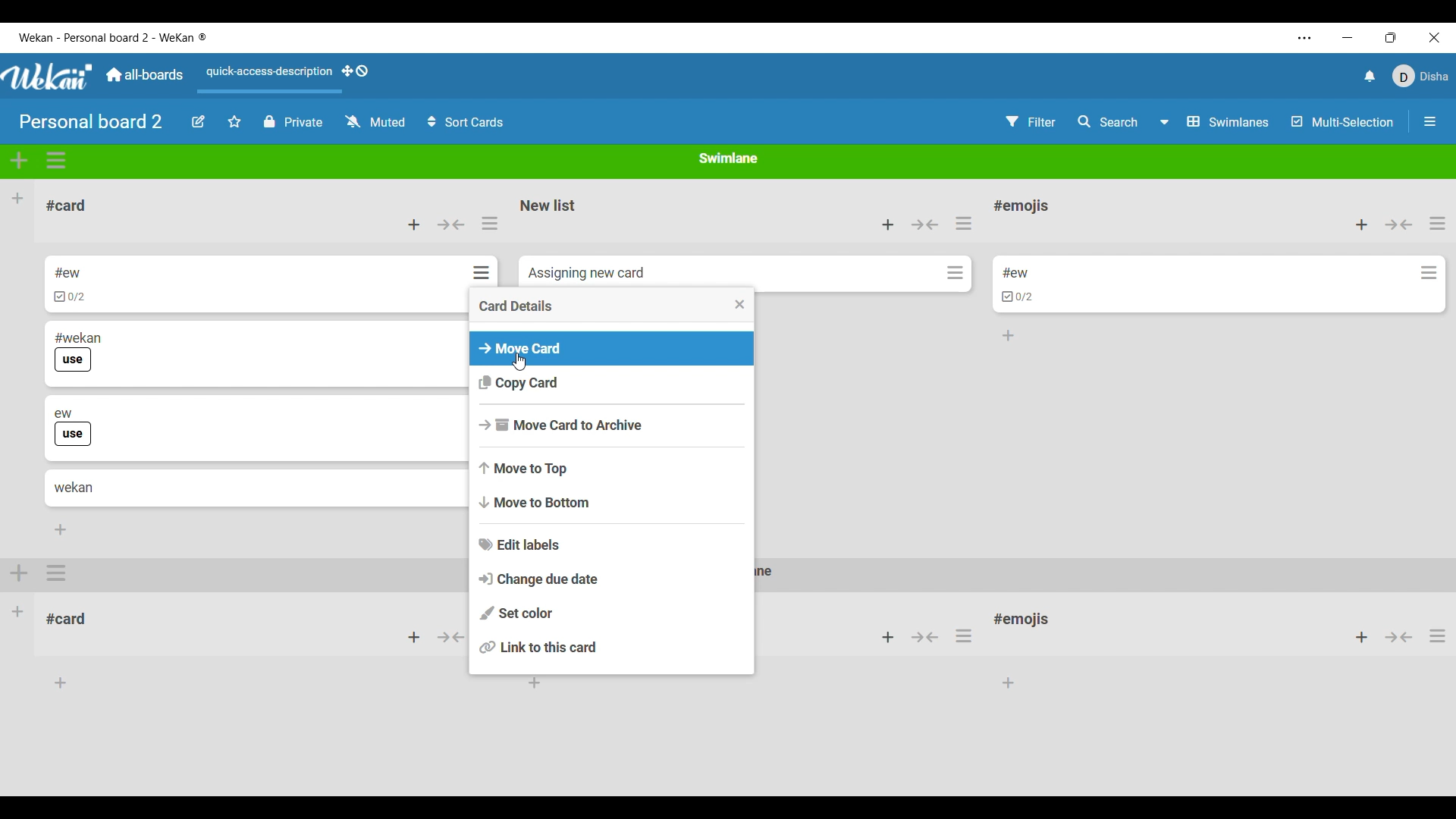 This screenshot has width=1456, height=819. Describe the element at coordinates (1435, 37) in the screenshot. I see `Close interface` at that location.